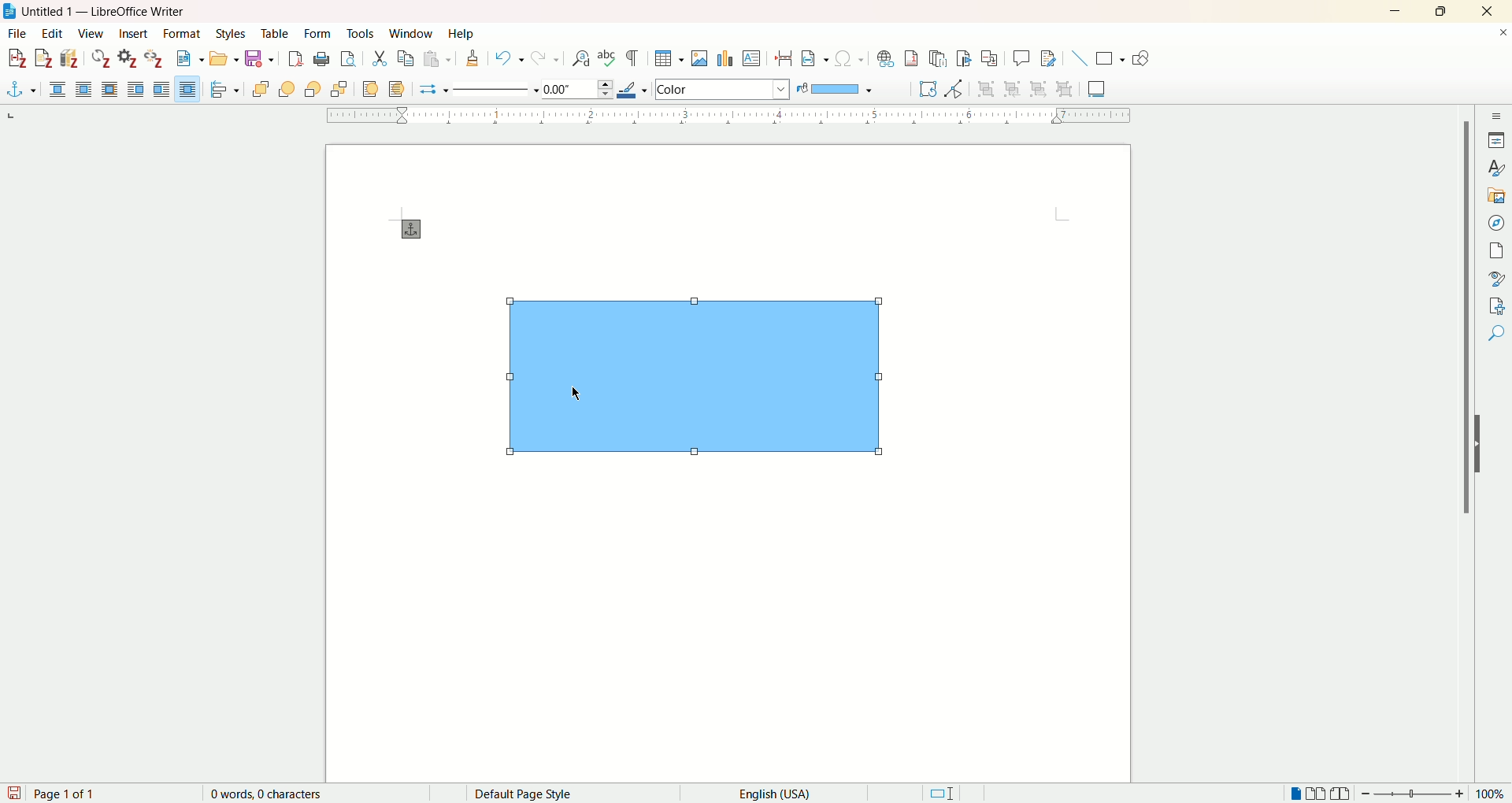  What do you see at coordinates (436, 58) in the screenshot?
I see `paste` at bounding box center [436, 58].